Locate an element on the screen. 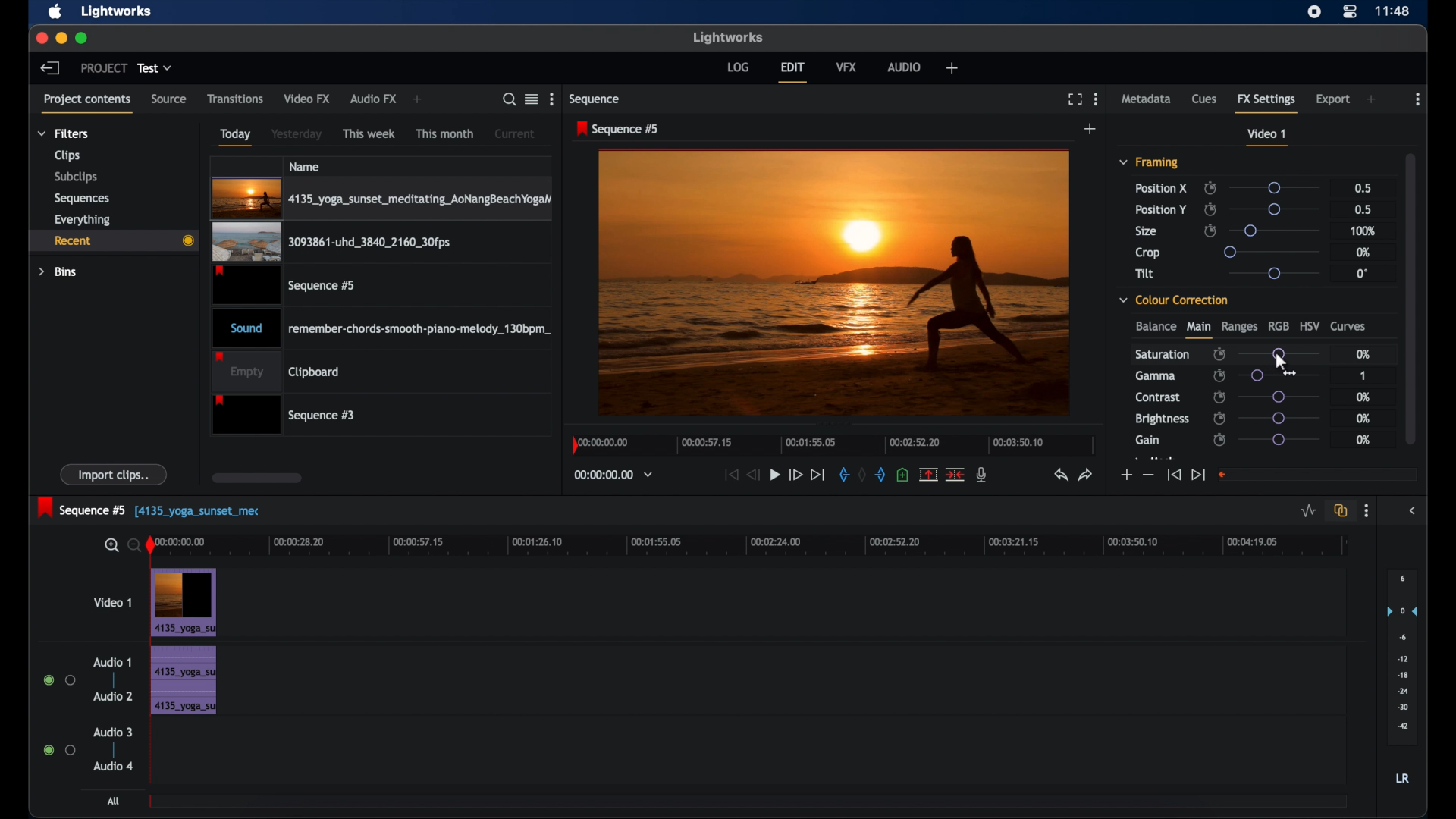  transitions is located at coordinates (235, 98).